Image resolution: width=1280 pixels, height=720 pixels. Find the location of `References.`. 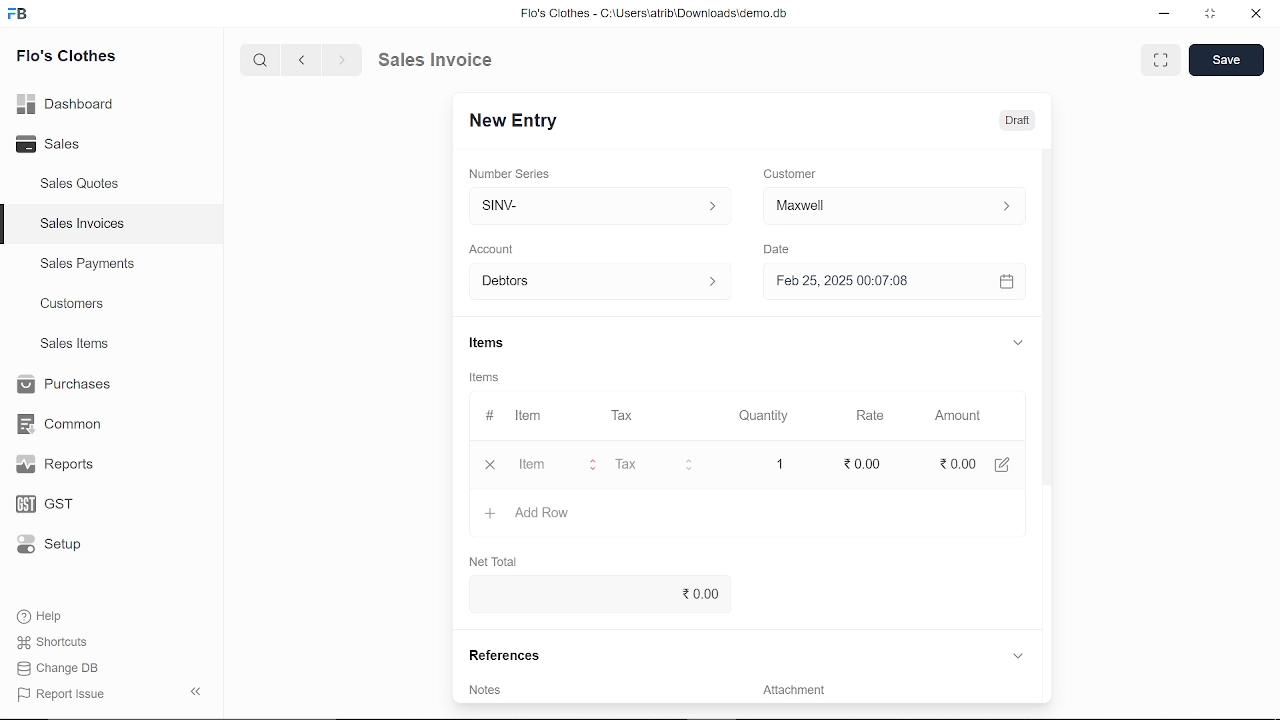

References. is located at coordinates (502, 654).